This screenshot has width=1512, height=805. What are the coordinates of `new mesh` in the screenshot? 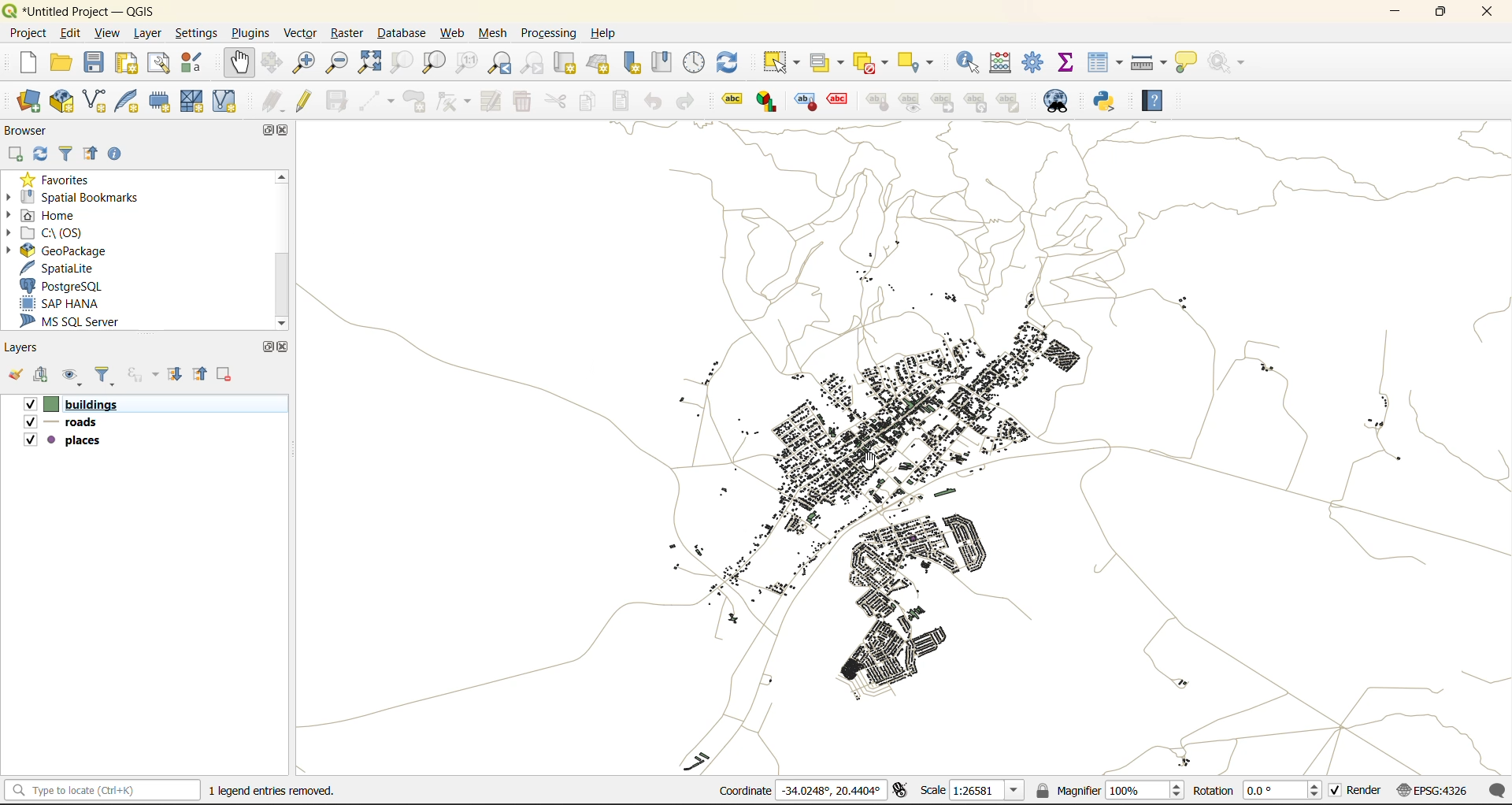 It's located at (193, 100).